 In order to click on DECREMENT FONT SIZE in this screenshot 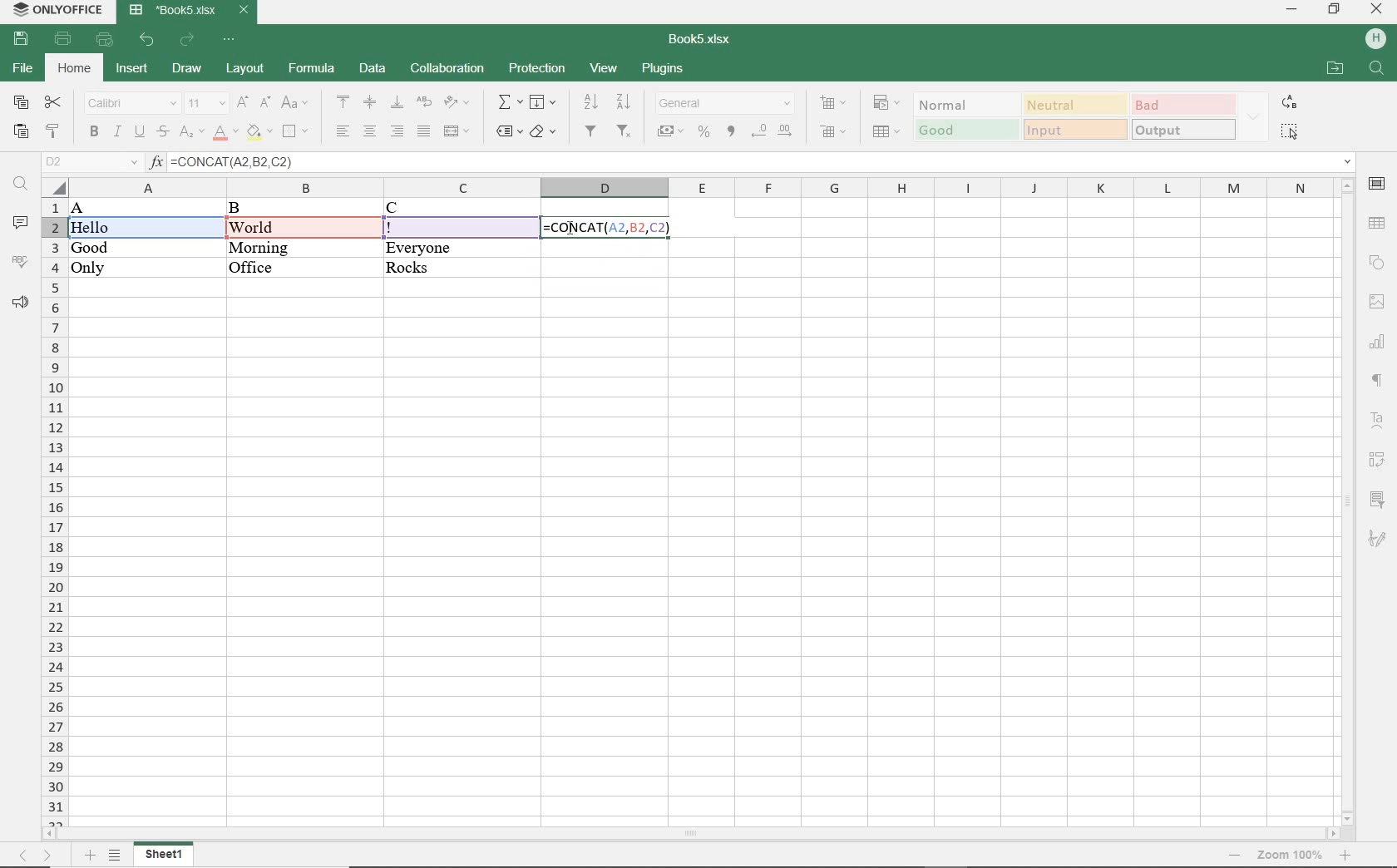, I will do `click(265, 106)`.